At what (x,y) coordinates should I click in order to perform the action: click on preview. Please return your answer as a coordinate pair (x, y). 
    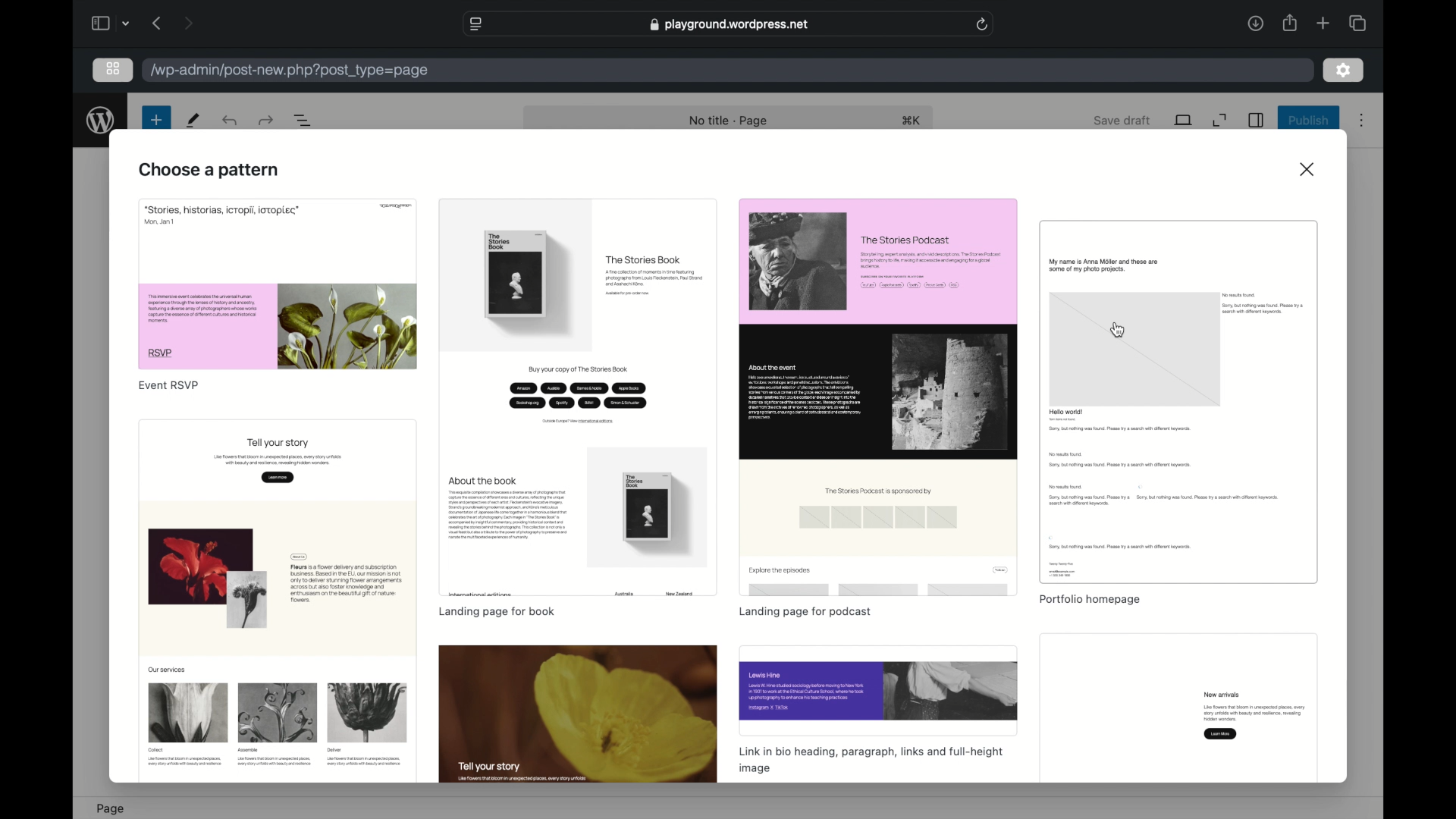
    Looking at the image, I should click on (1179, 402).